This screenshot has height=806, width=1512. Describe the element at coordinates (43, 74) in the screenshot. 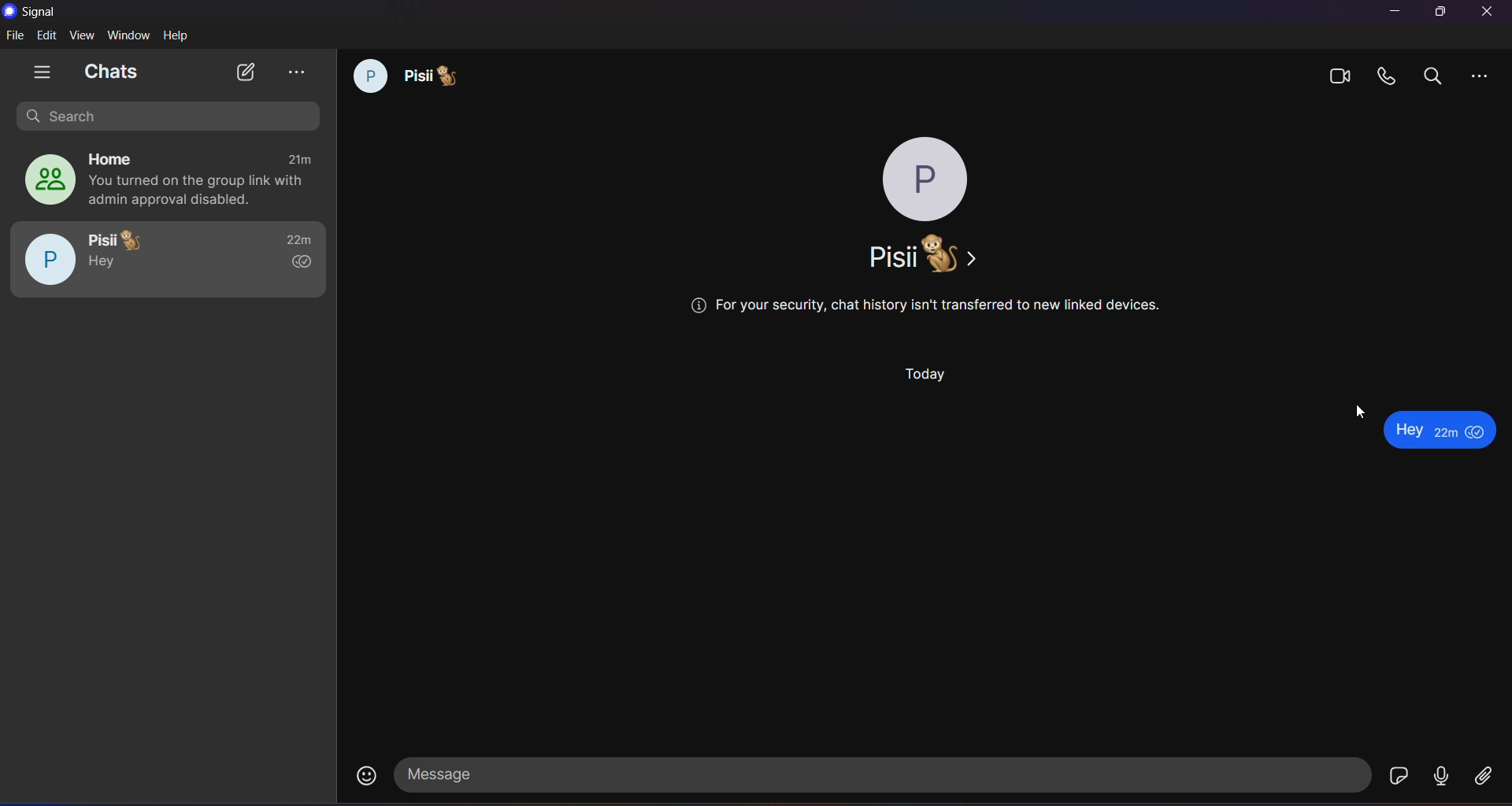

I see `show tabs` at that location.